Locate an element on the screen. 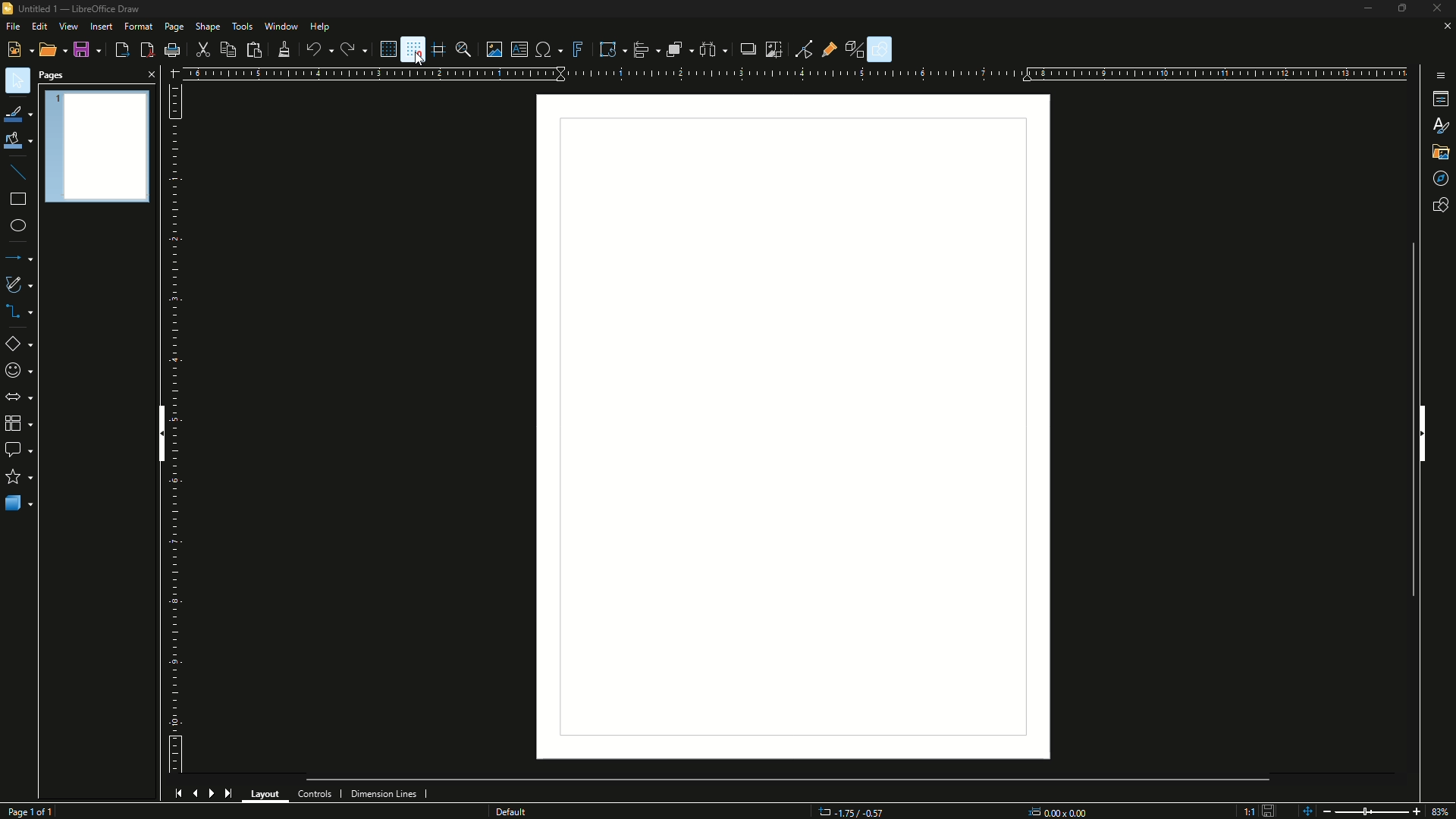 Image resolution: width=1456 pixels, height=819 pixels. undo is located at coordinates (316, 49).